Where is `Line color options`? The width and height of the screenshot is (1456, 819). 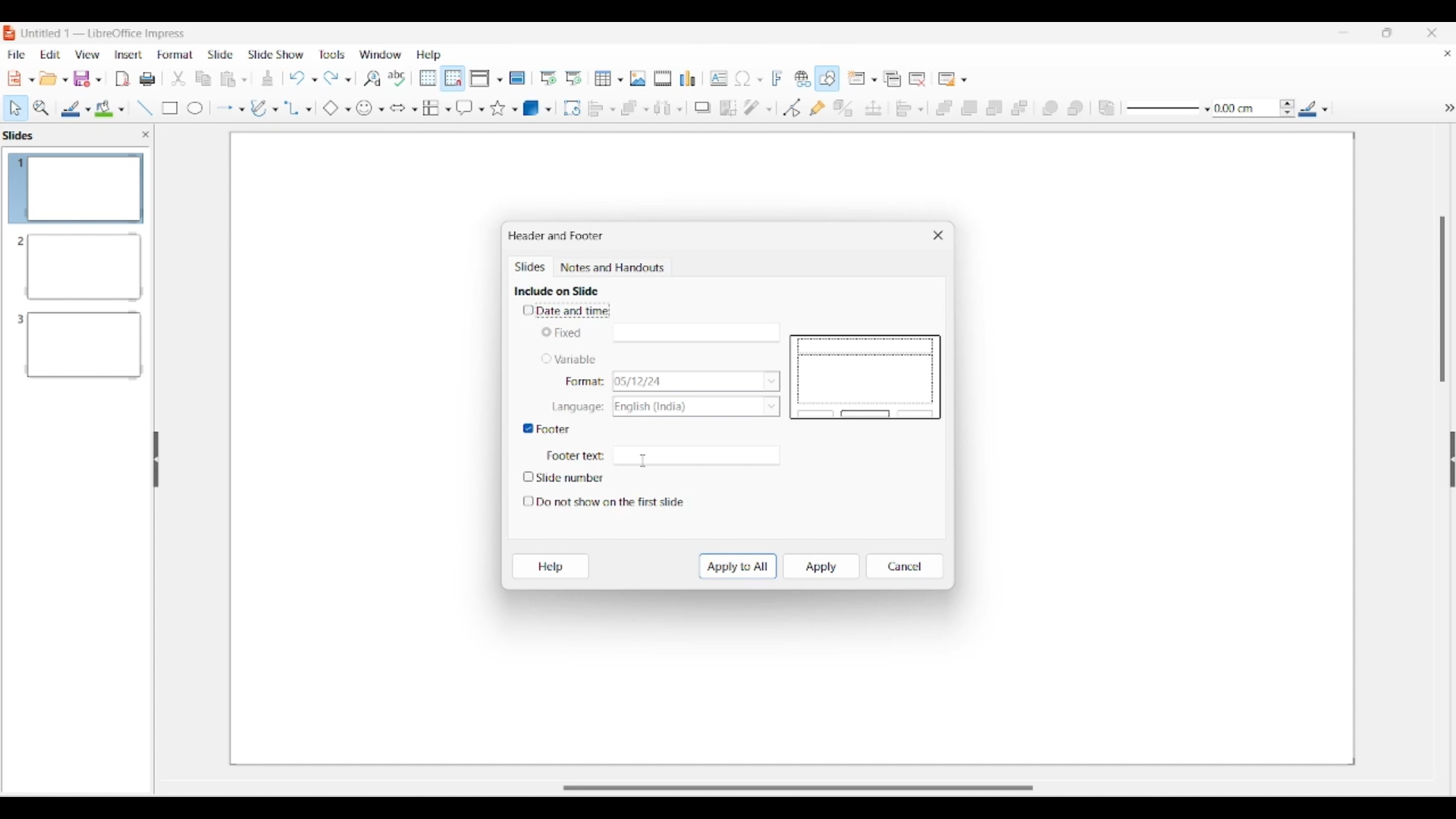 Line color options is located at coordinates (1313, 108).